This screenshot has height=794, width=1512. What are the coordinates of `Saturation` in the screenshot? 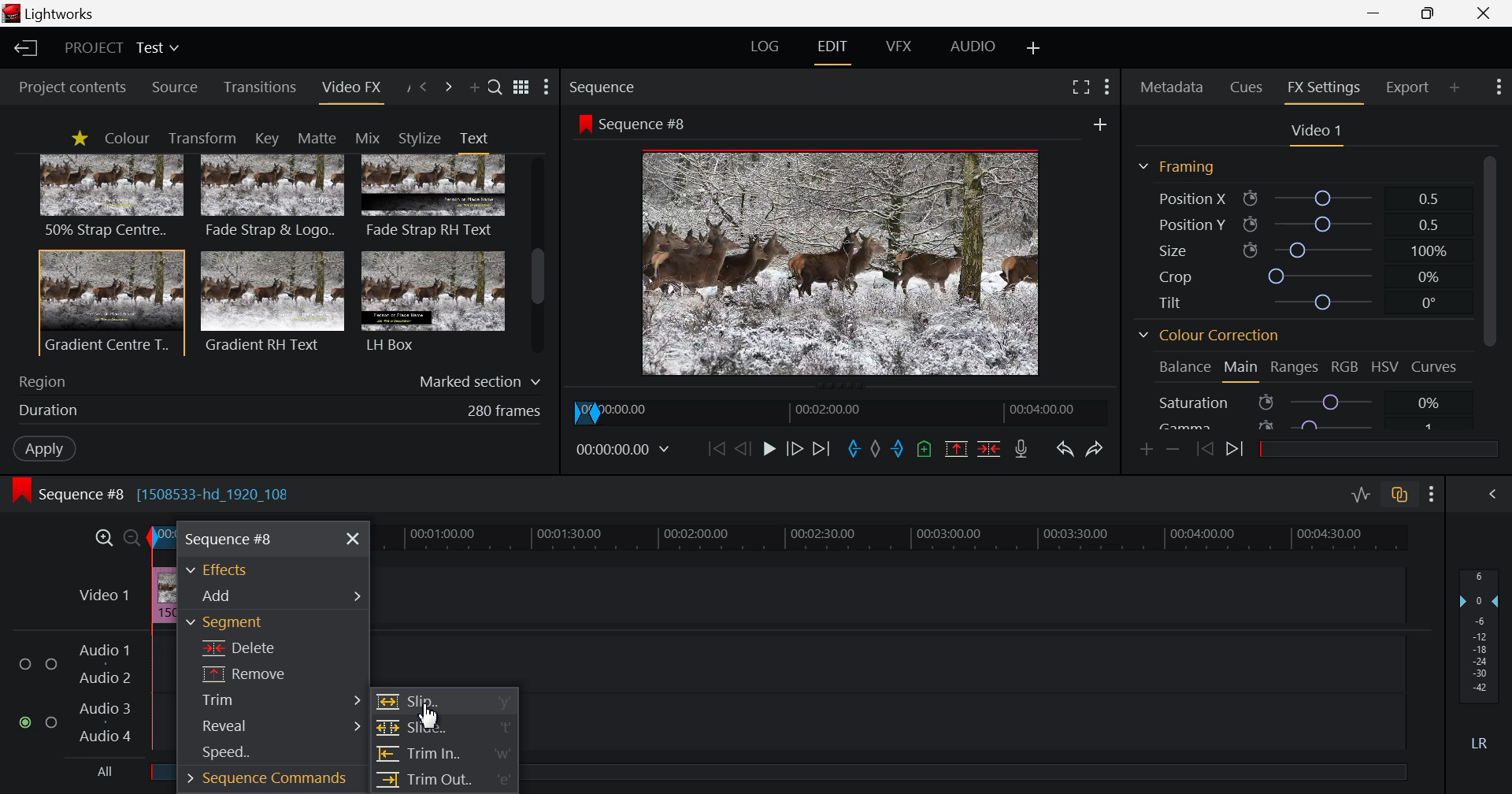 It's located at (1298, 402).